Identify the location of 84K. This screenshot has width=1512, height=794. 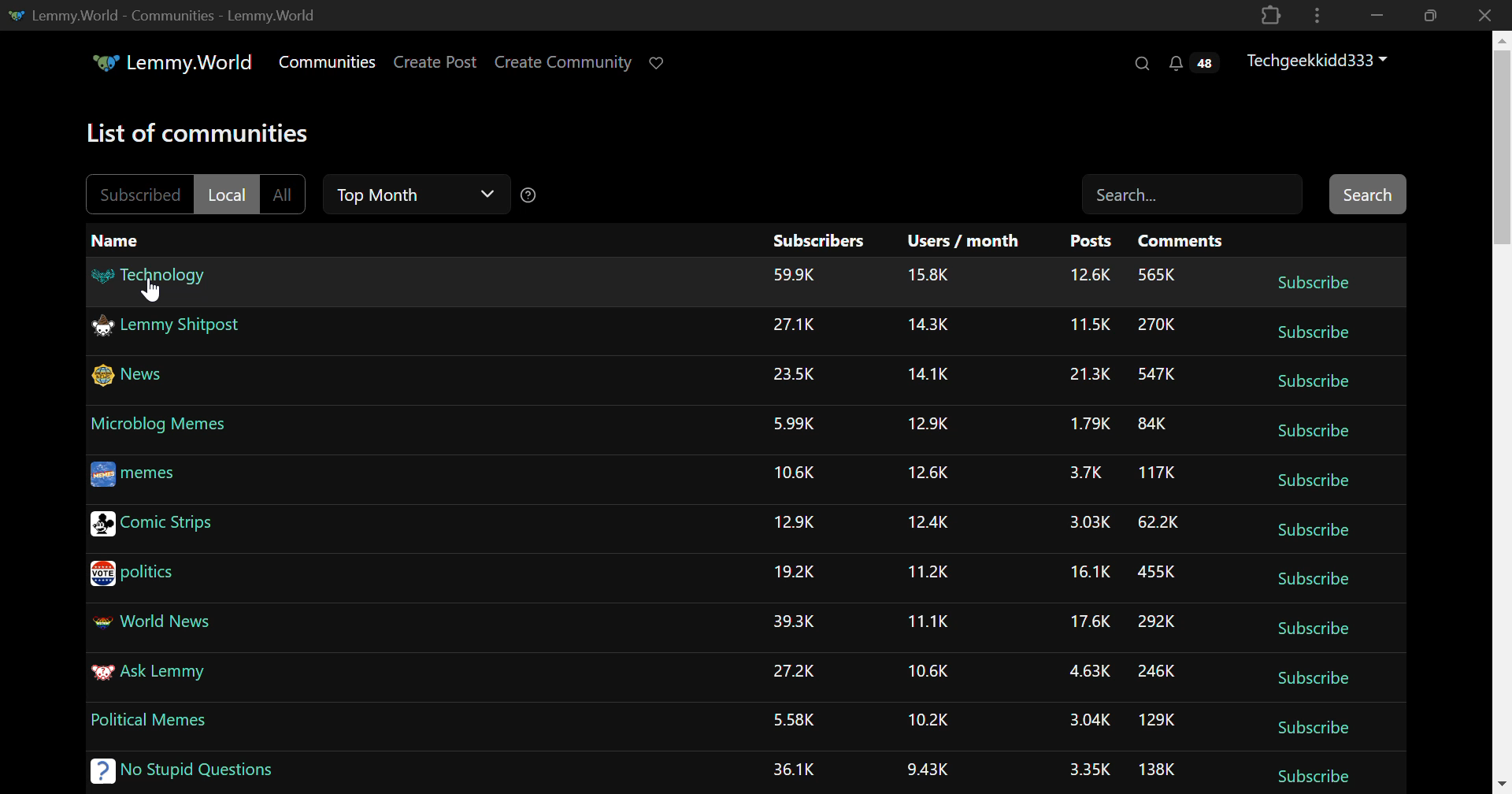
(1152, 422).